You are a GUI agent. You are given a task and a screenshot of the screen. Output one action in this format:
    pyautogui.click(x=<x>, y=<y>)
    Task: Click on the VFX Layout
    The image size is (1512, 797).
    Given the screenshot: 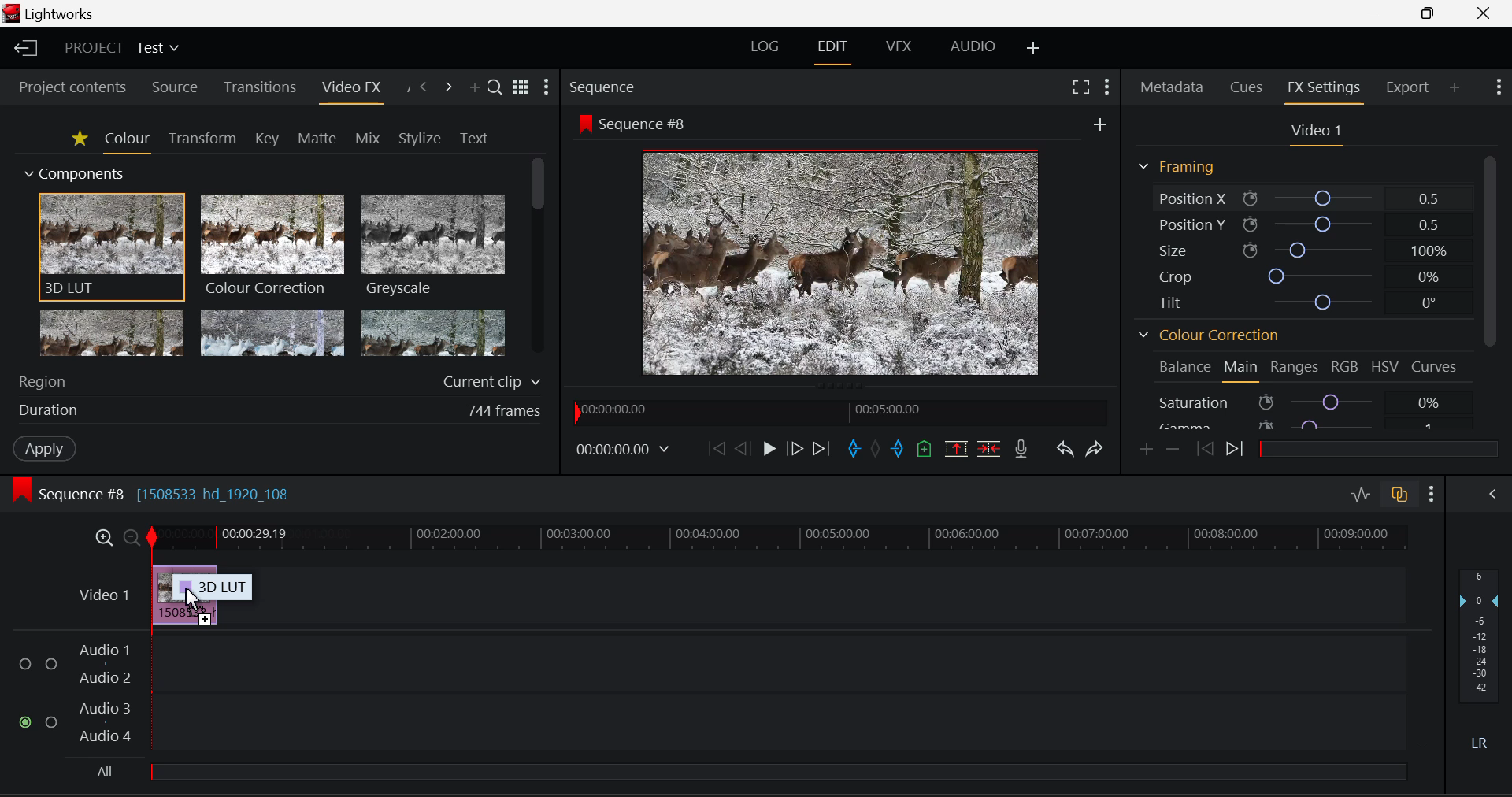 What is the action you would take?
    pyautogui.click(x=901, y=47)
    